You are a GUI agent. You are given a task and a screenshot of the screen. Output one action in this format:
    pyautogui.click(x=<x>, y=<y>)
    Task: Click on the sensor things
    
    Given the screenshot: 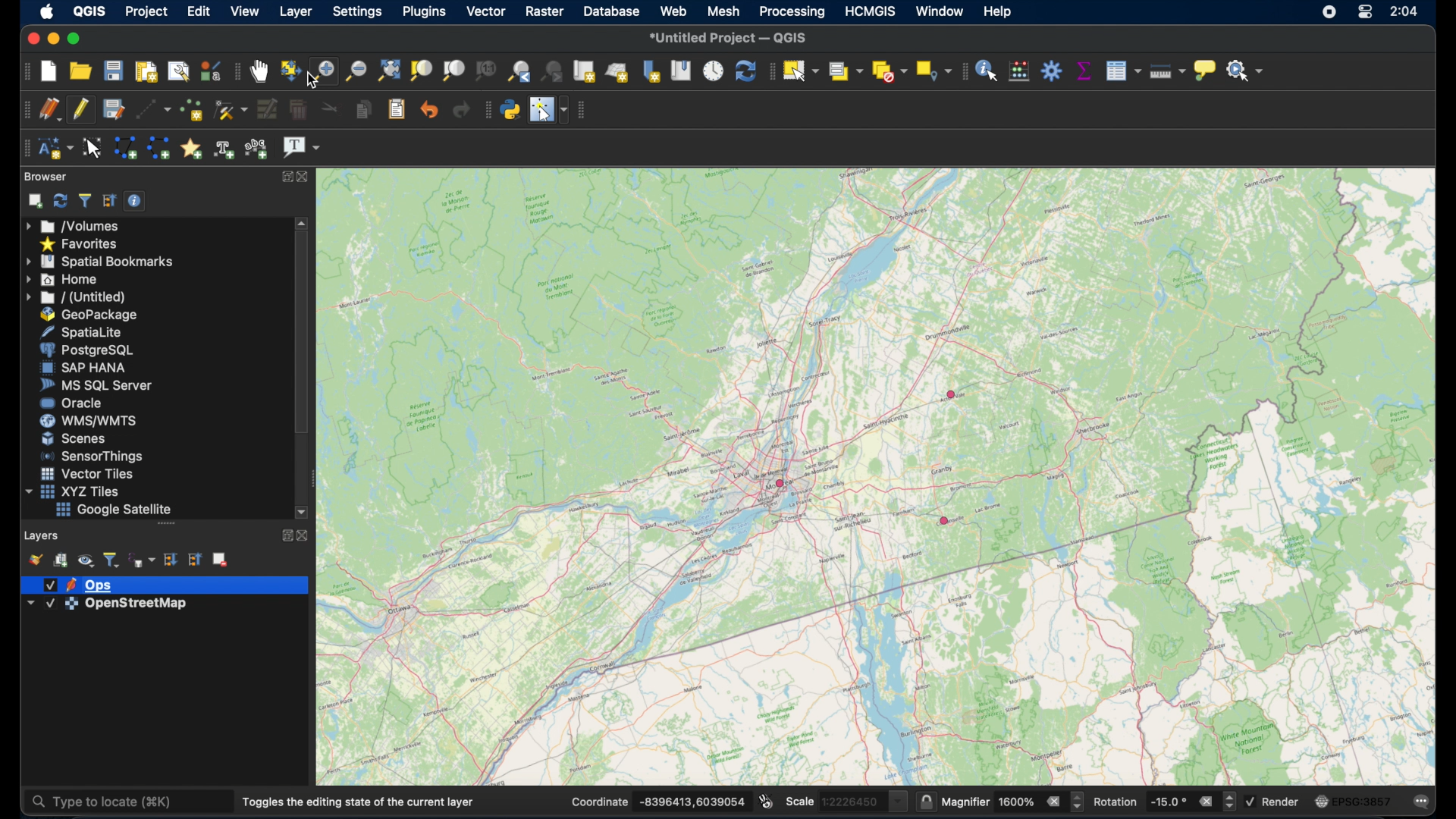 What is the action you would take?
    pyautogui.click(x=89, y=457)
    